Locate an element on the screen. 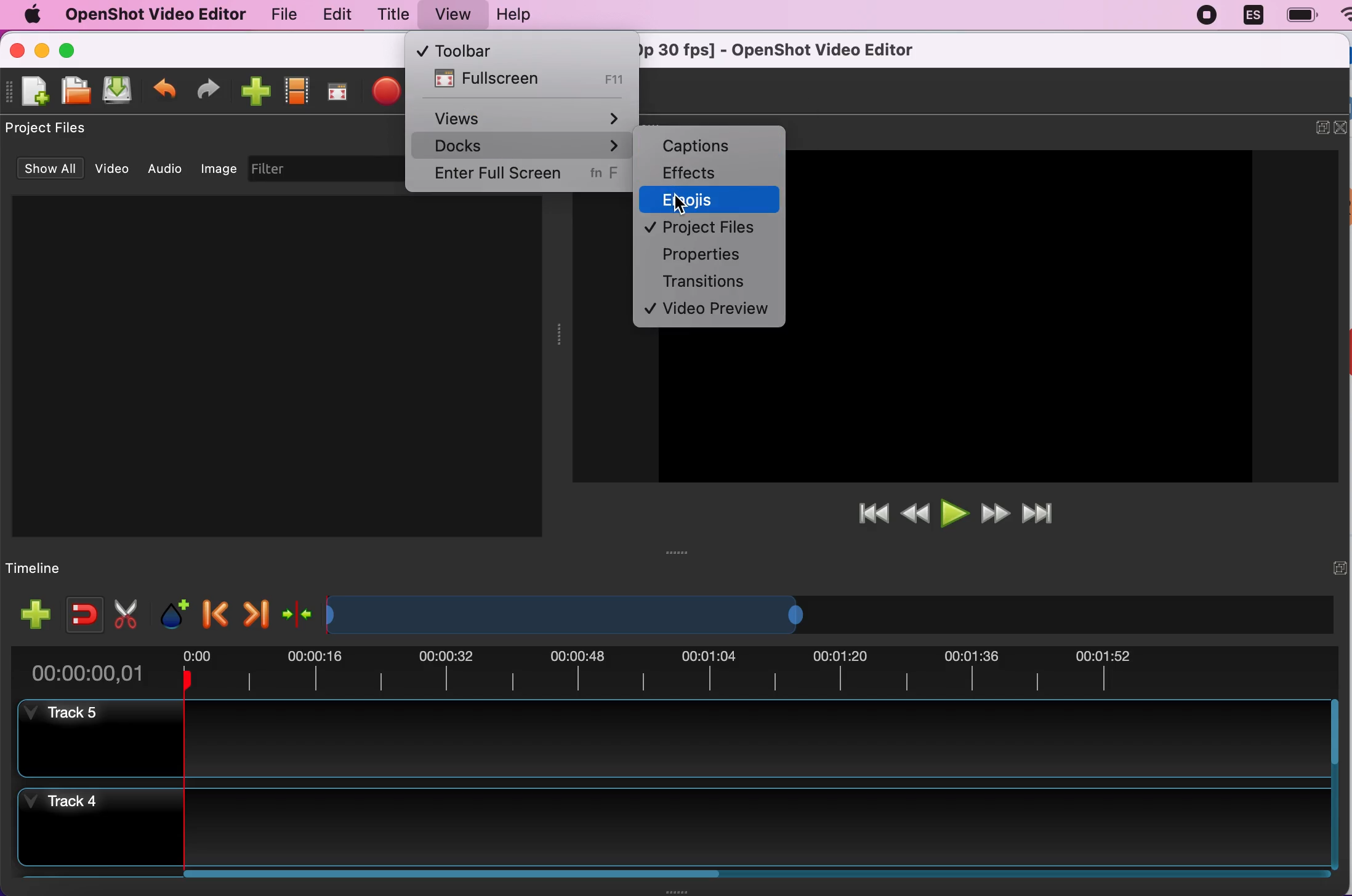 This screenshot has width=1352, height=896. Expand/Shrink timeline view is located at coordinates (569, 615).